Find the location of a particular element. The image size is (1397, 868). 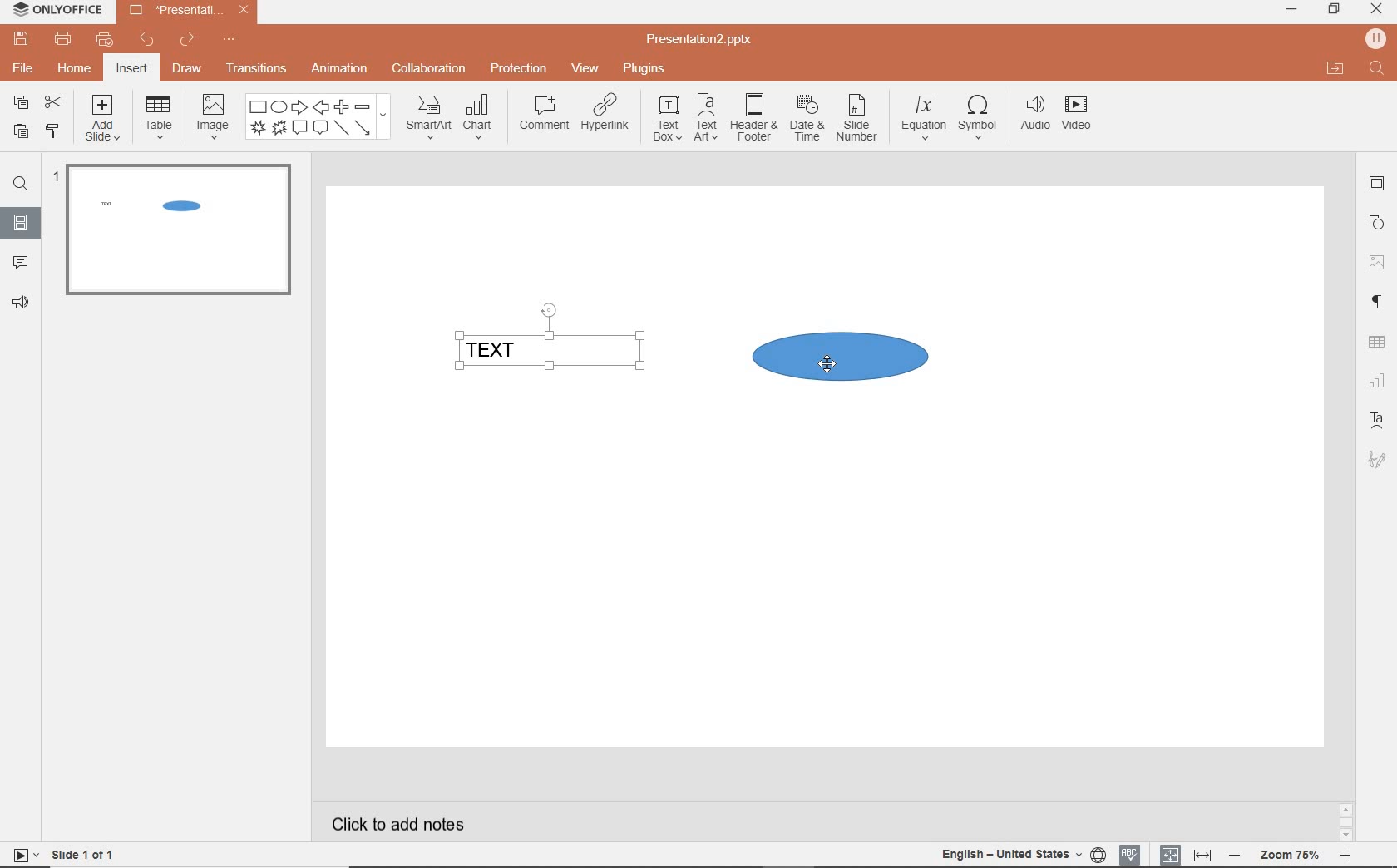

TEXT FIELD SELECTED is located at coordinates (550, 340).